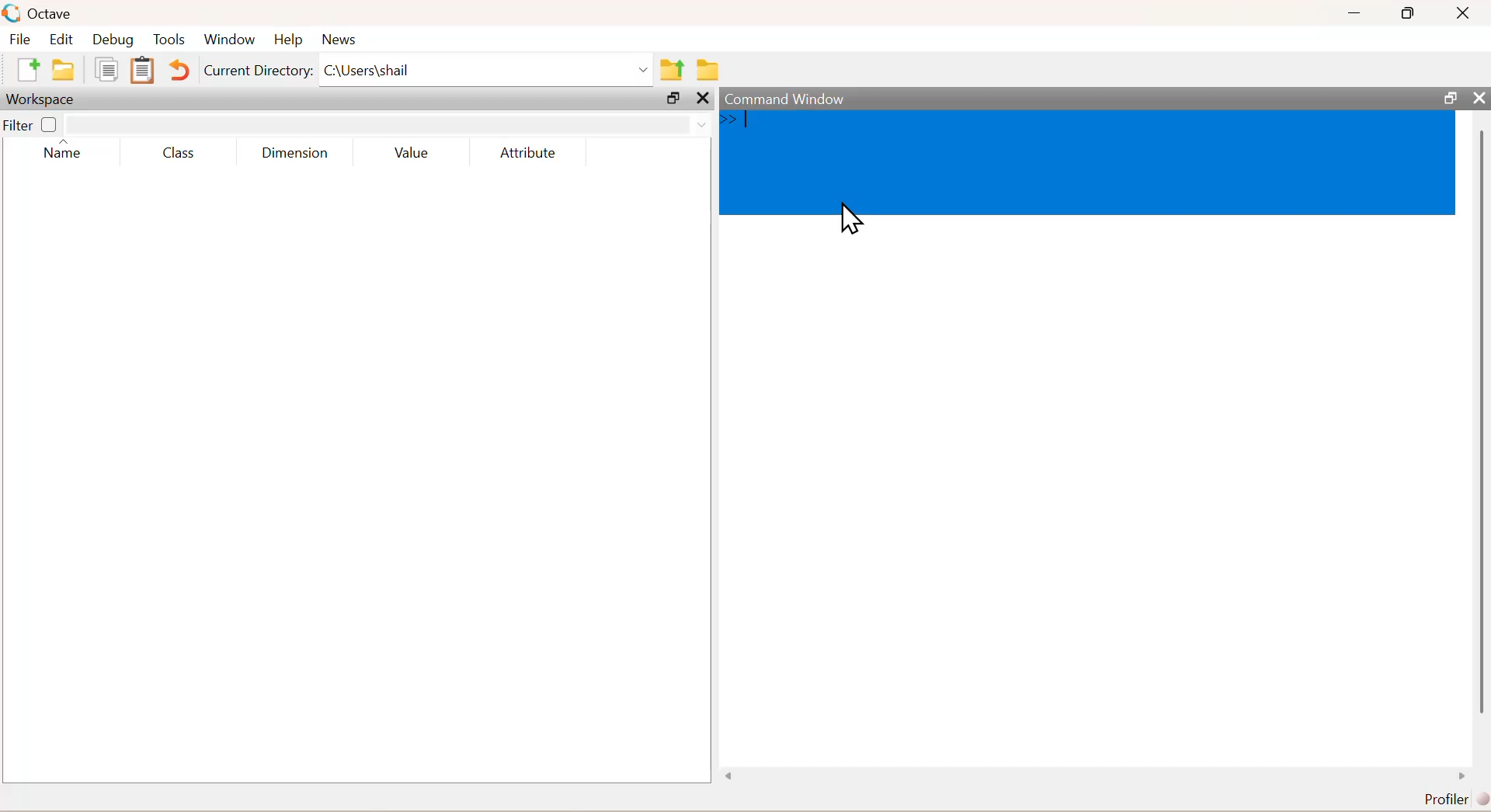 The height and width of the screenshot is (812, 1491). Describe the element at coordinates (1451, 98) in the screenshot. I see `open in separate window` at that location.